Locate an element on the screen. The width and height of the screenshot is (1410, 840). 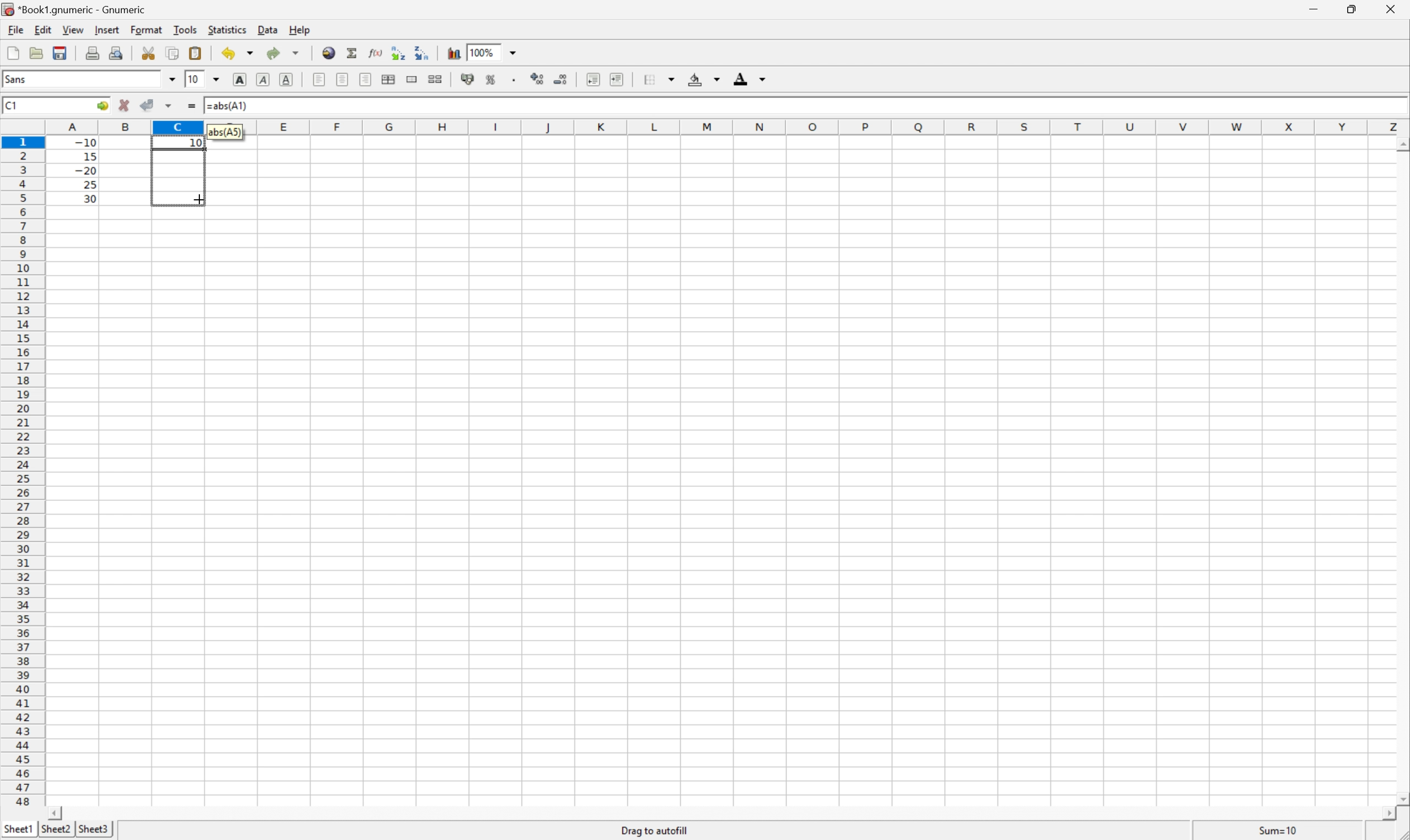
=ABS(A1) is located at coordinates (232, 104).